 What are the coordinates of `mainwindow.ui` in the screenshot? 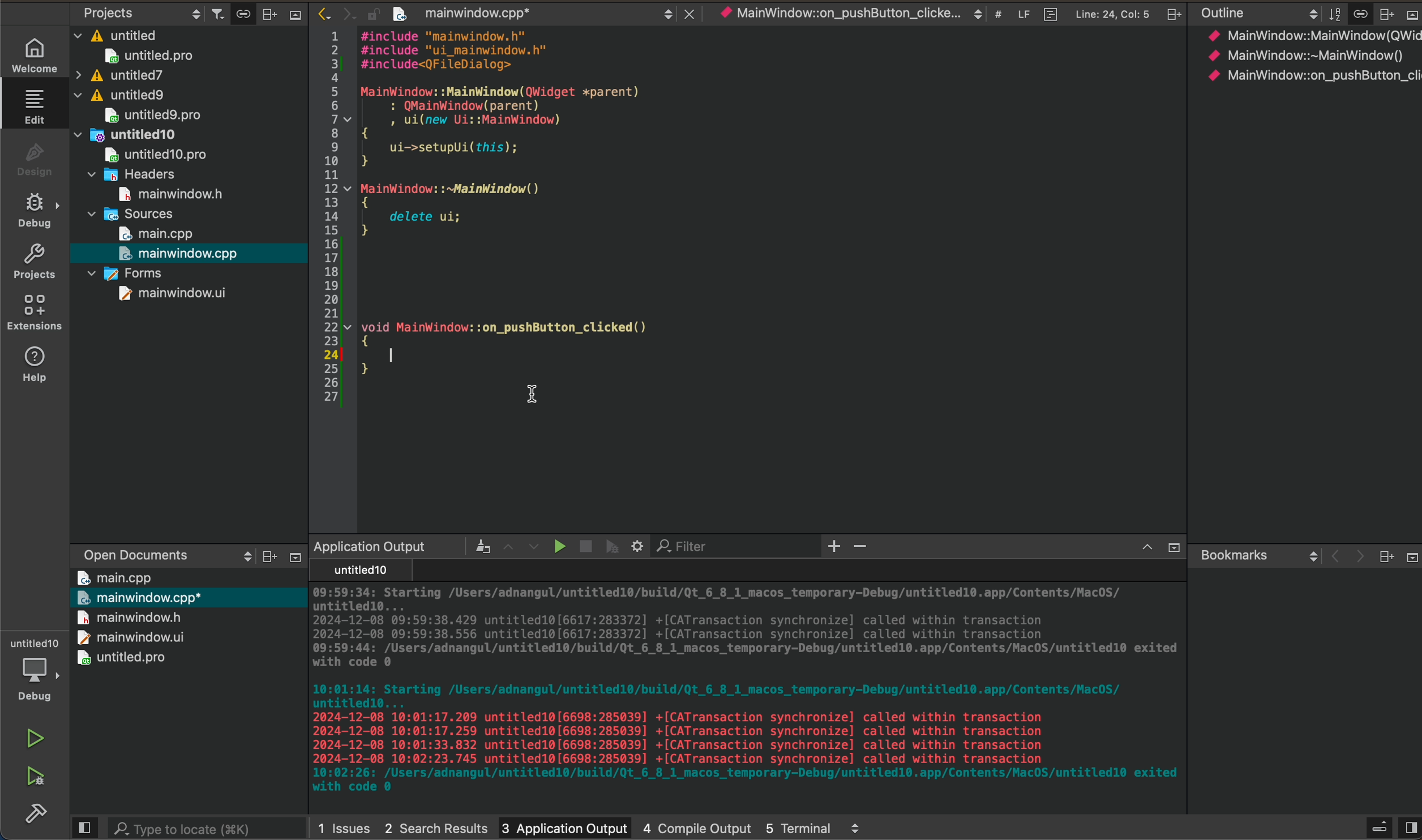 It's located at (173, 293).